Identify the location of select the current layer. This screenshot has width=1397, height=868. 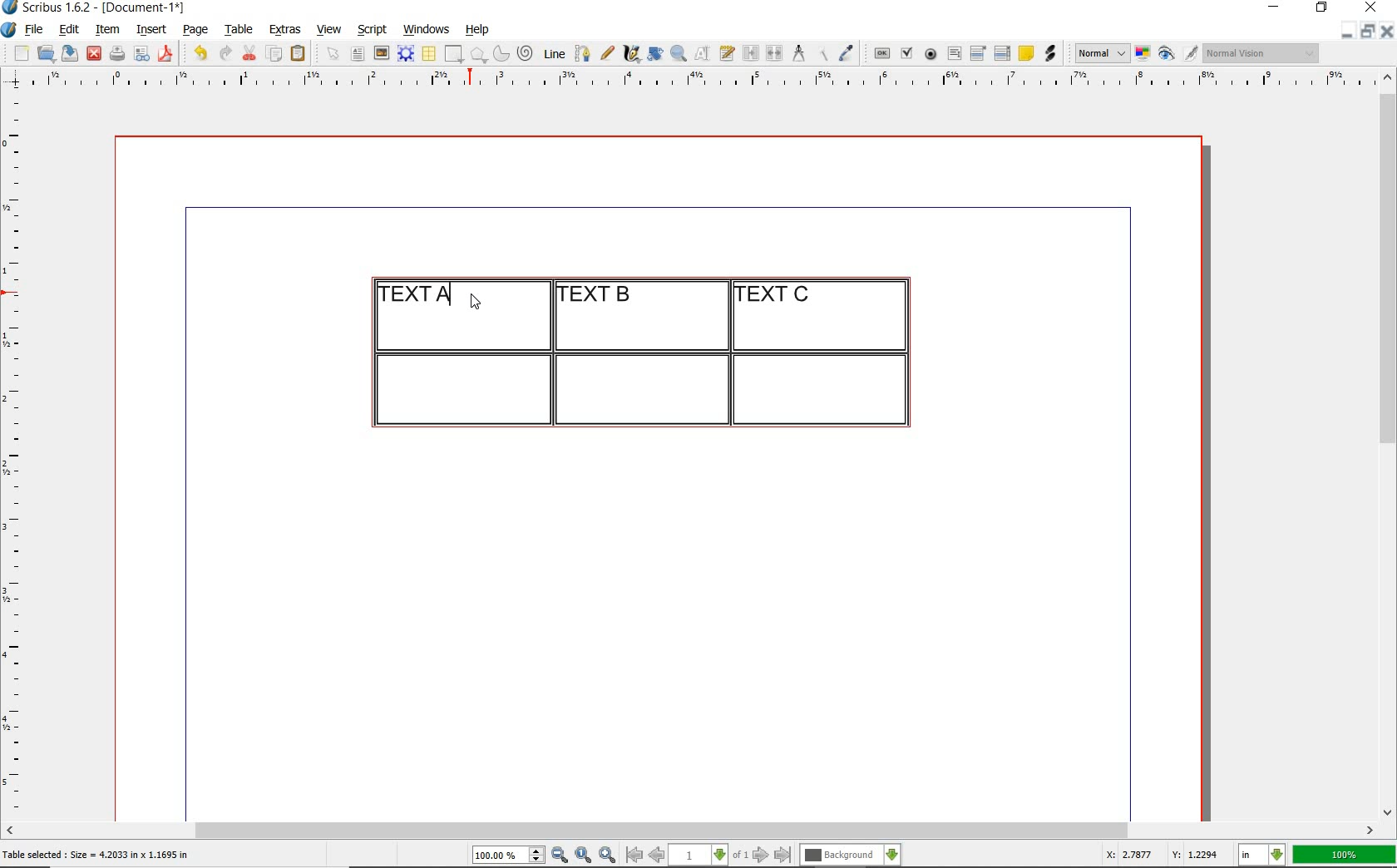
(851, 856).